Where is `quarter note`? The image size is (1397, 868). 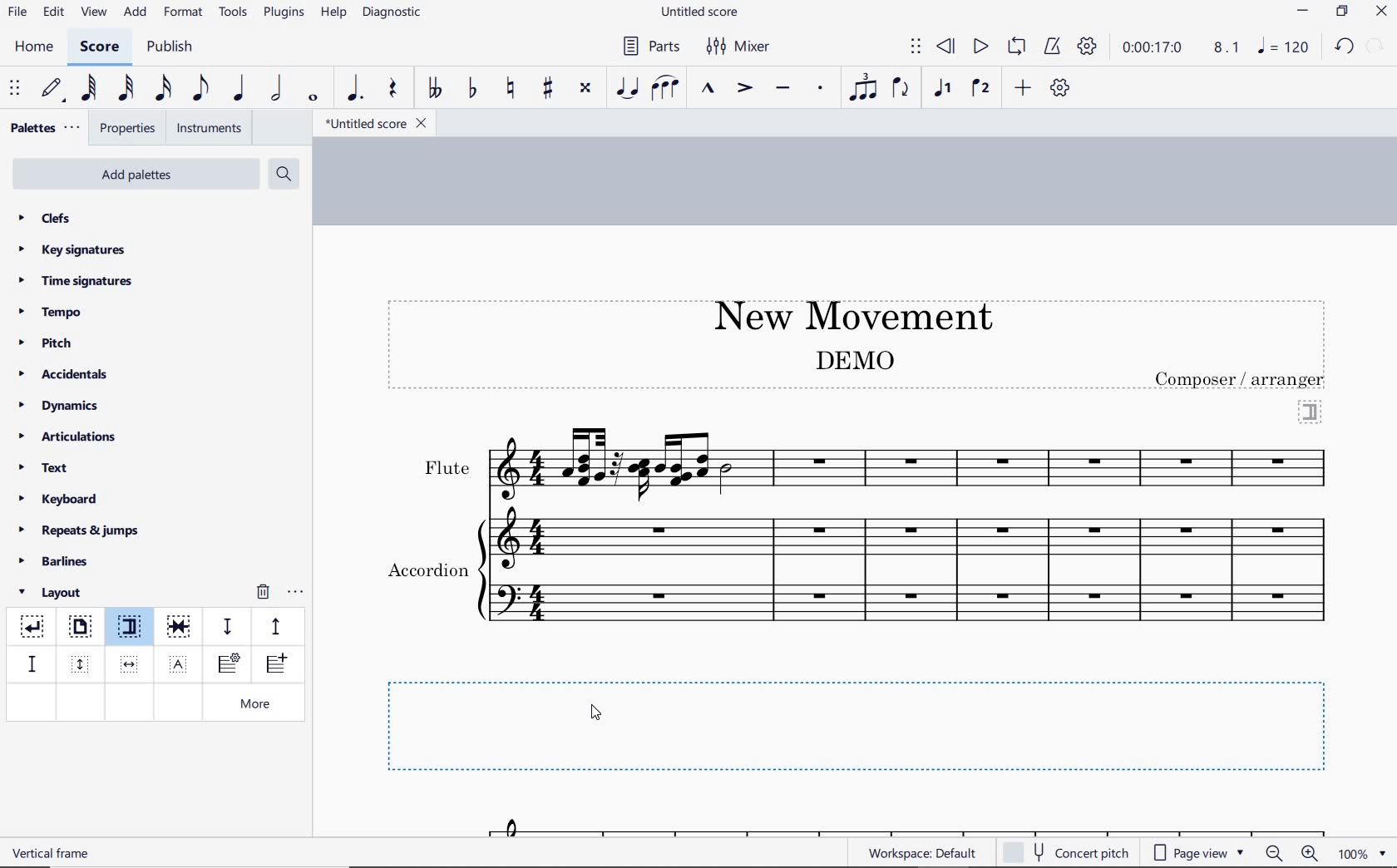 quarter note is located at coordinates (238, 89).